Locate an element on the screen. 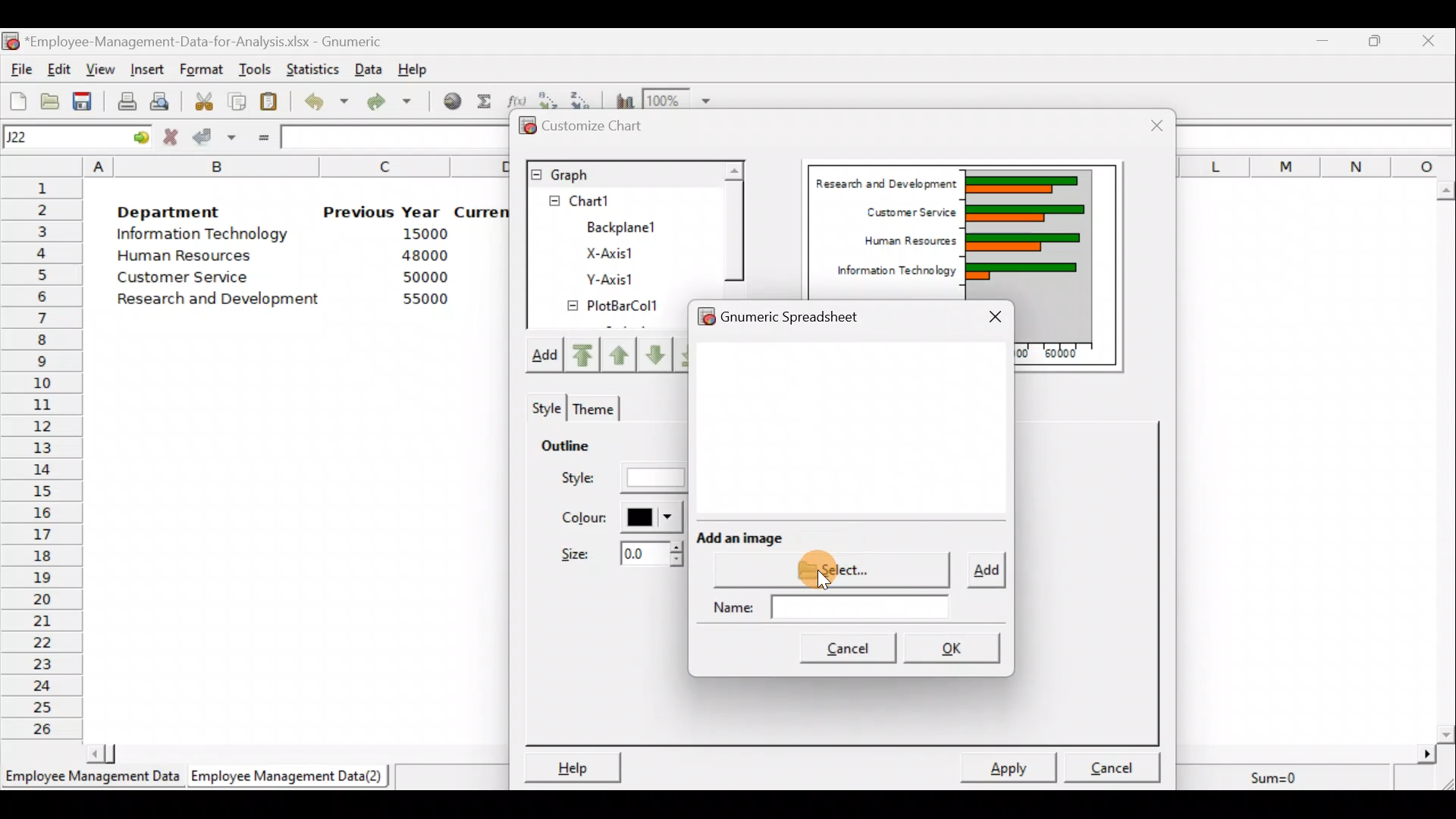 Image resolution: width=1456 pixels, height=819 pixels. Data is located at coordinates (369, 67).